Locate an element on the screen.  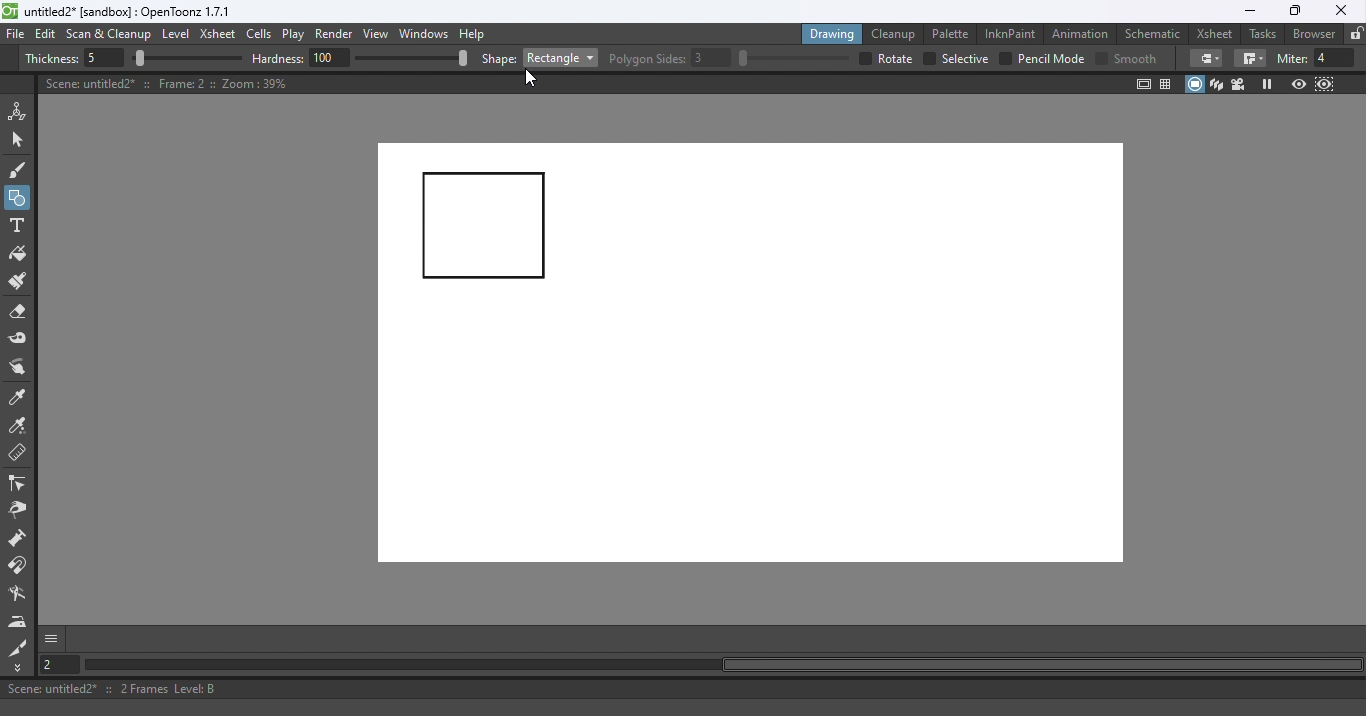
RGB picker tool is located at coordinates (21, 427).